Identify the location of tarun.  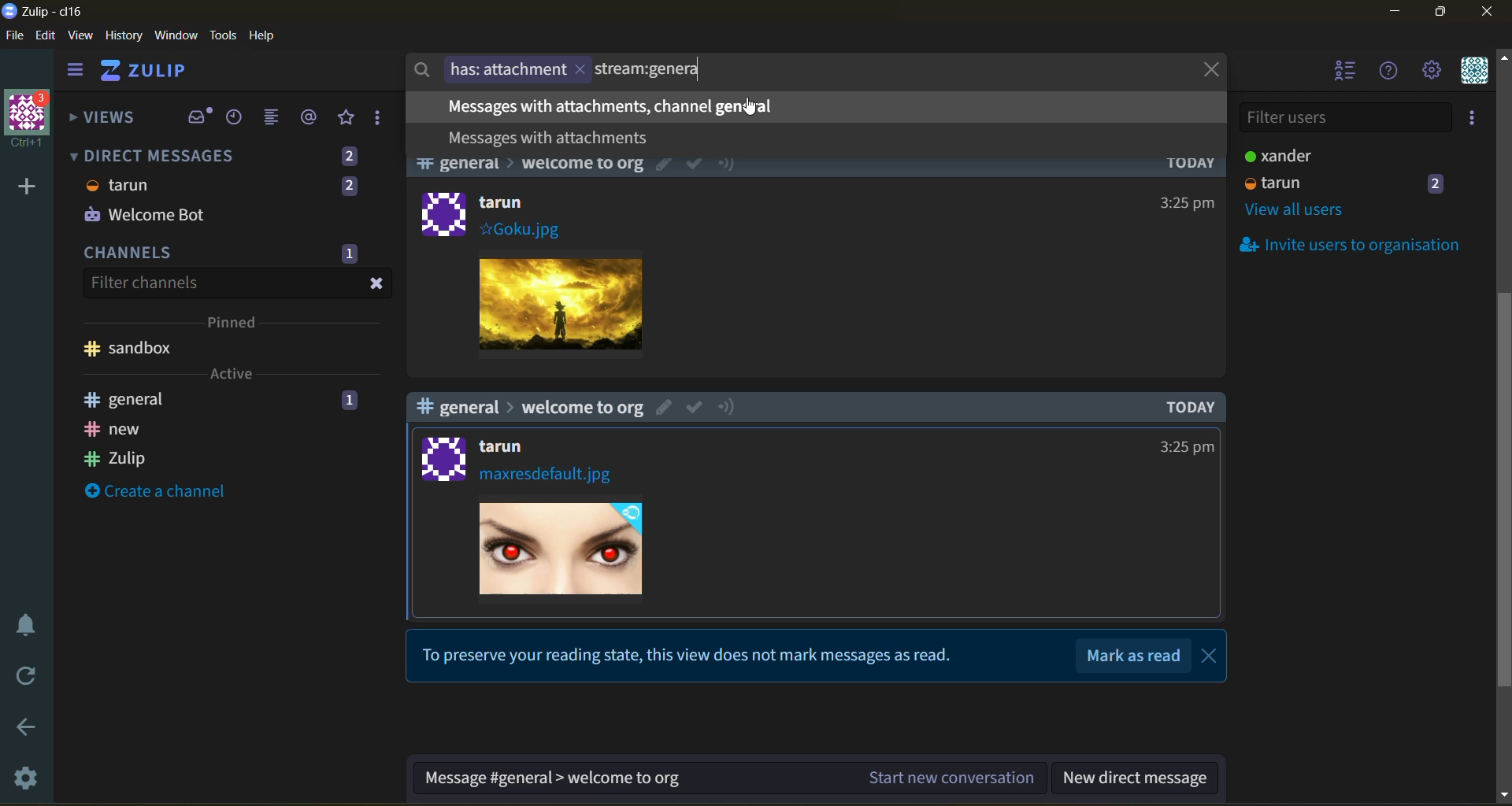
(119, 185).